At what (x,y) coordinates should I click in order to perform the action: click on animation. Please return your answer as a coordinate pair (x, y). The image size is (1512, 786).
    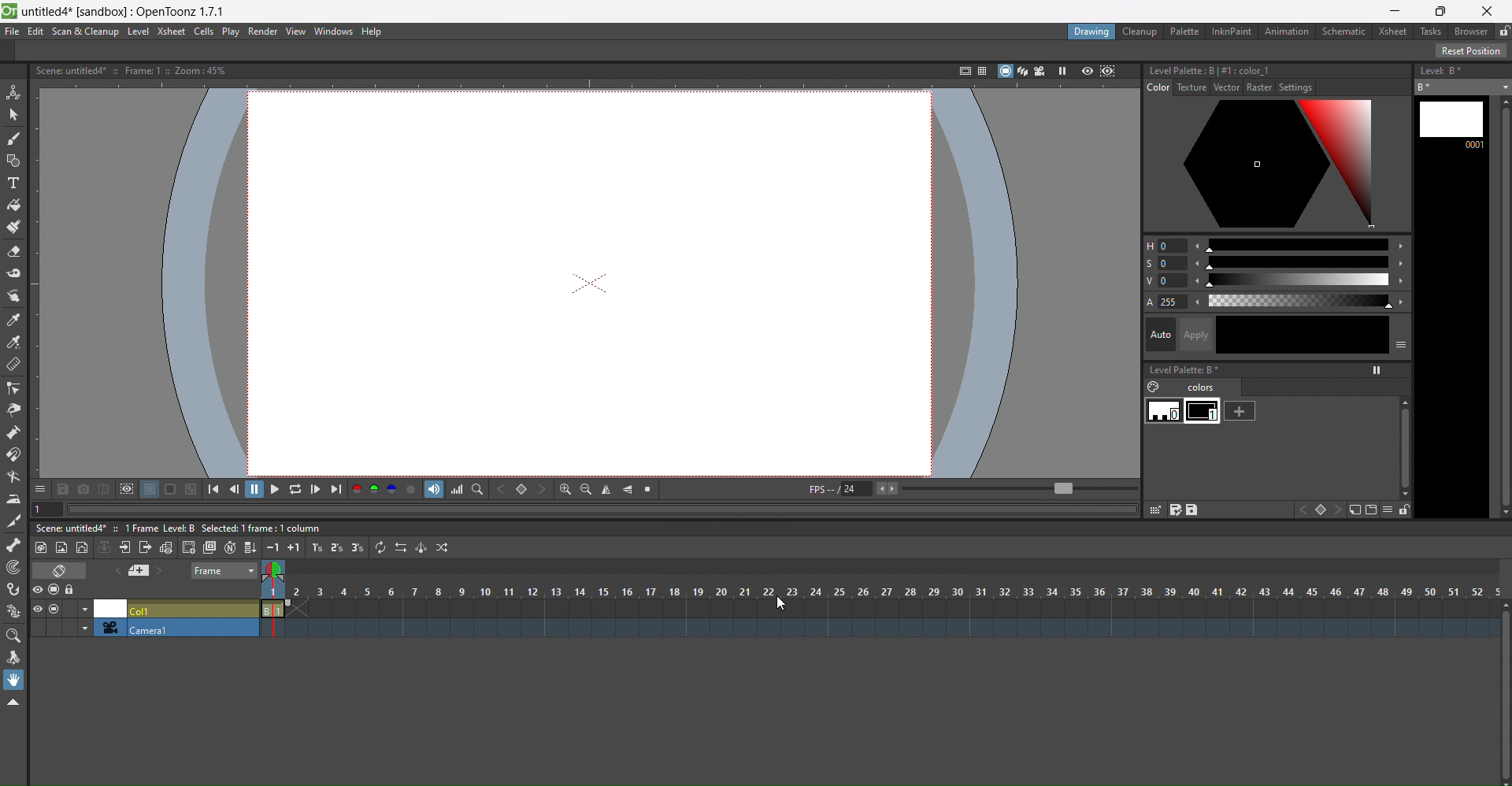
    Looking at the image, I should click on (1288, 32).